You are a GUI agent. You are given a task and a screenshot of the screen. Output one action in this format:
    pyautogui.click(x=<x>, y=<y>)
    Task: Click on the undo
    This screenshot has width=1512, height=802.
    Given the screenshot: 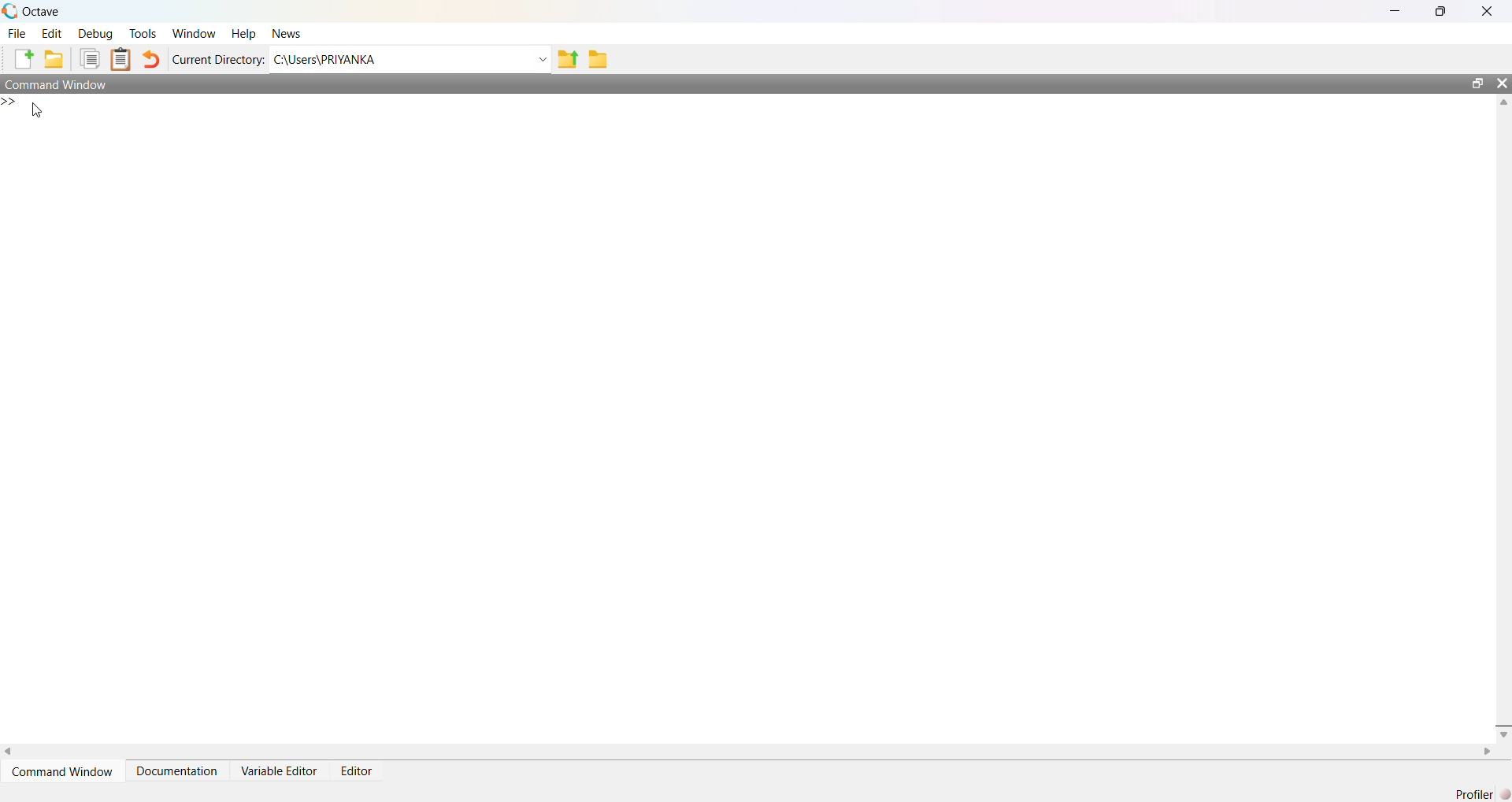 What is the action you would take?
    pyautogui.click(x=151, y=60)
    